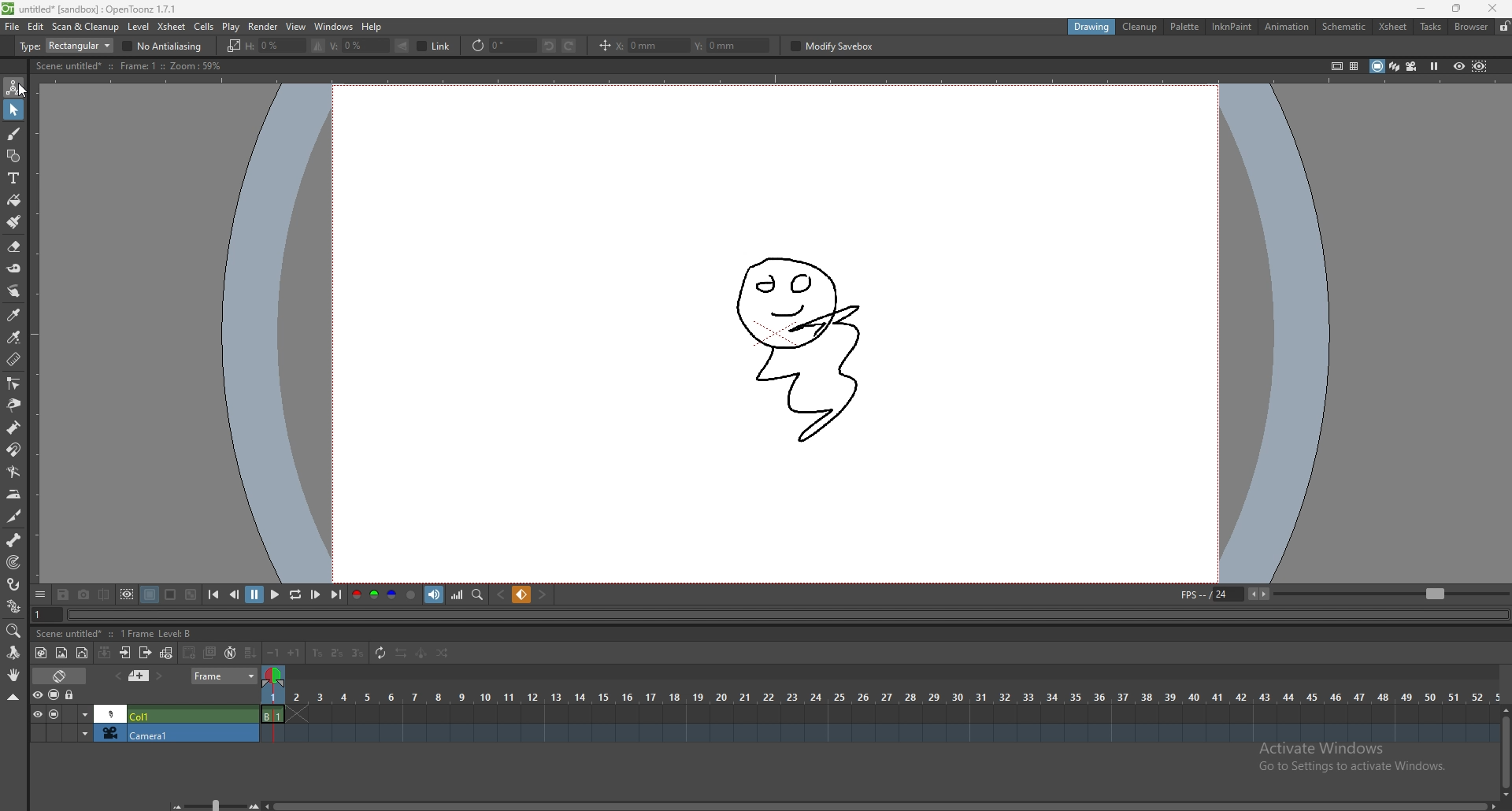 The width and height of the screenshot is (1512, 811). I want to click on render, so click(264, 26).